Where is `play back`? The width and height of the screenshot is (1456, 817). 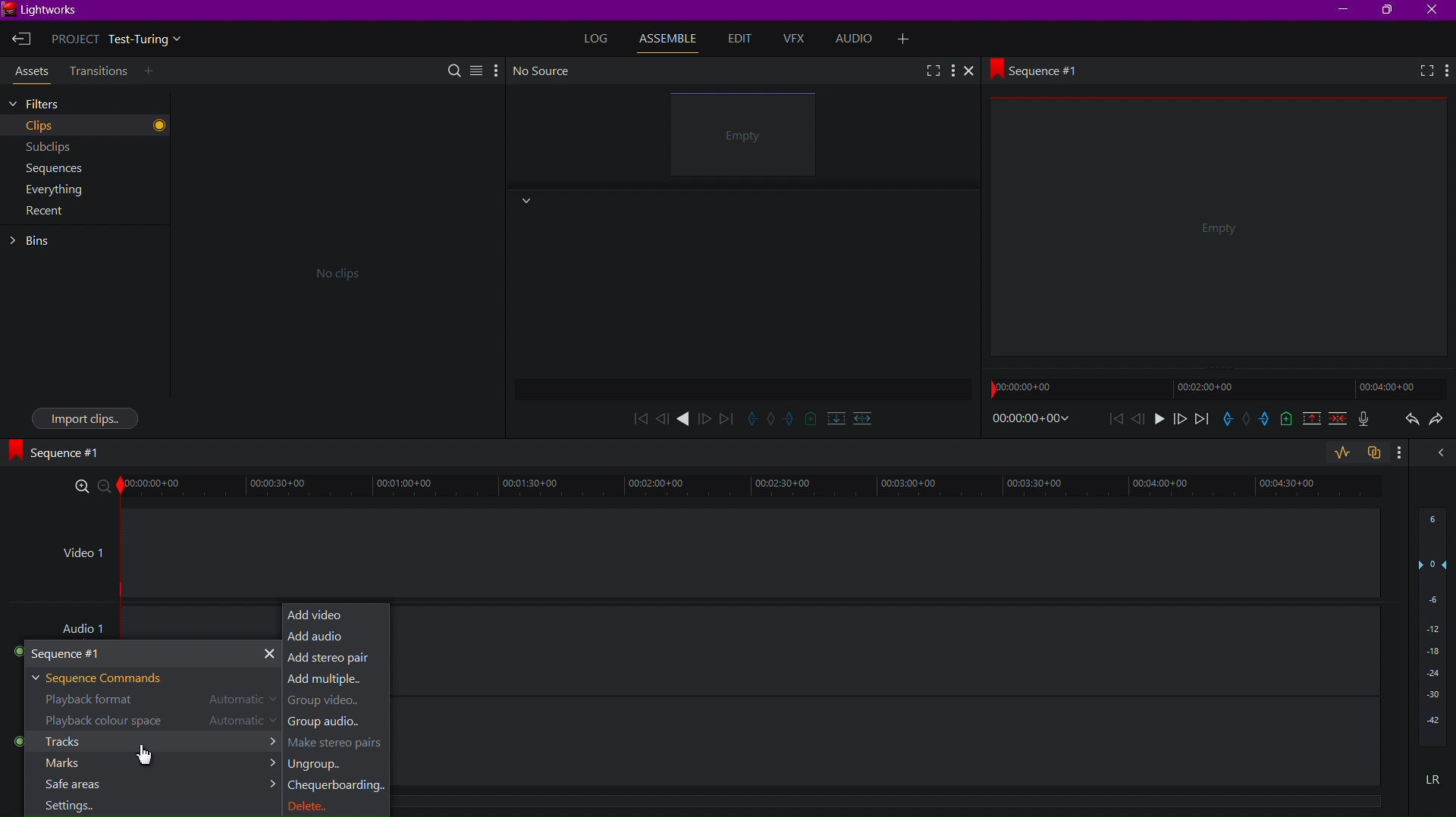
play back is located at coordinates (639, 418).